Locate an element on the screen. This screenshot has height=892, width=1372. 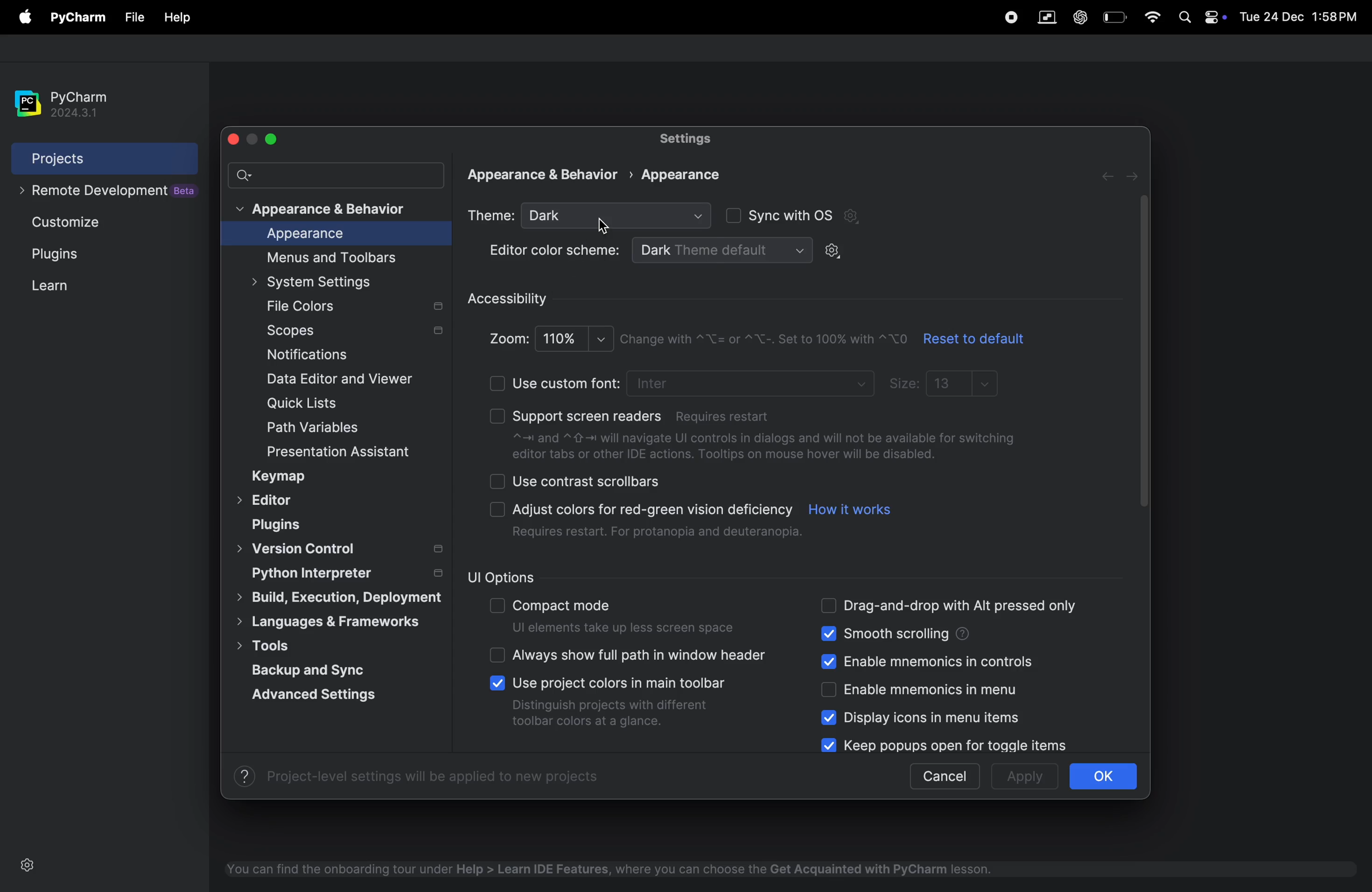
record is located at coordinates (1009, 18).